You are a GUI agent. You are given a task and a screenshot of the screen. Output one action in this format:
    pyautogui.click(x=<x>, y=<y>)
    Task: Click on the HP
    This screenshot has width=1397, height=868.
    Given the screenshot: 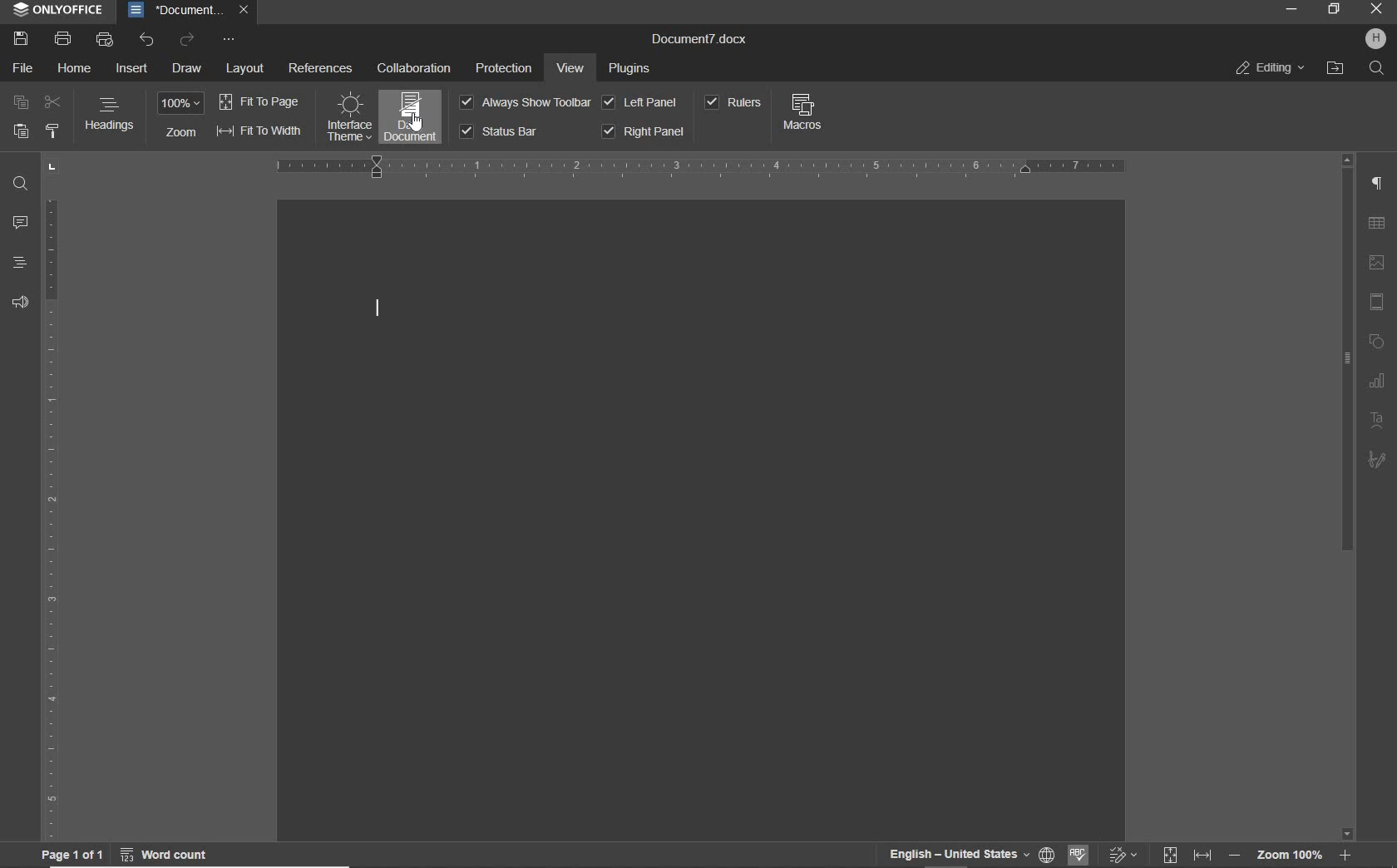 What is the action you would take?
    pyautogui.click(x=1374, y=40)
    